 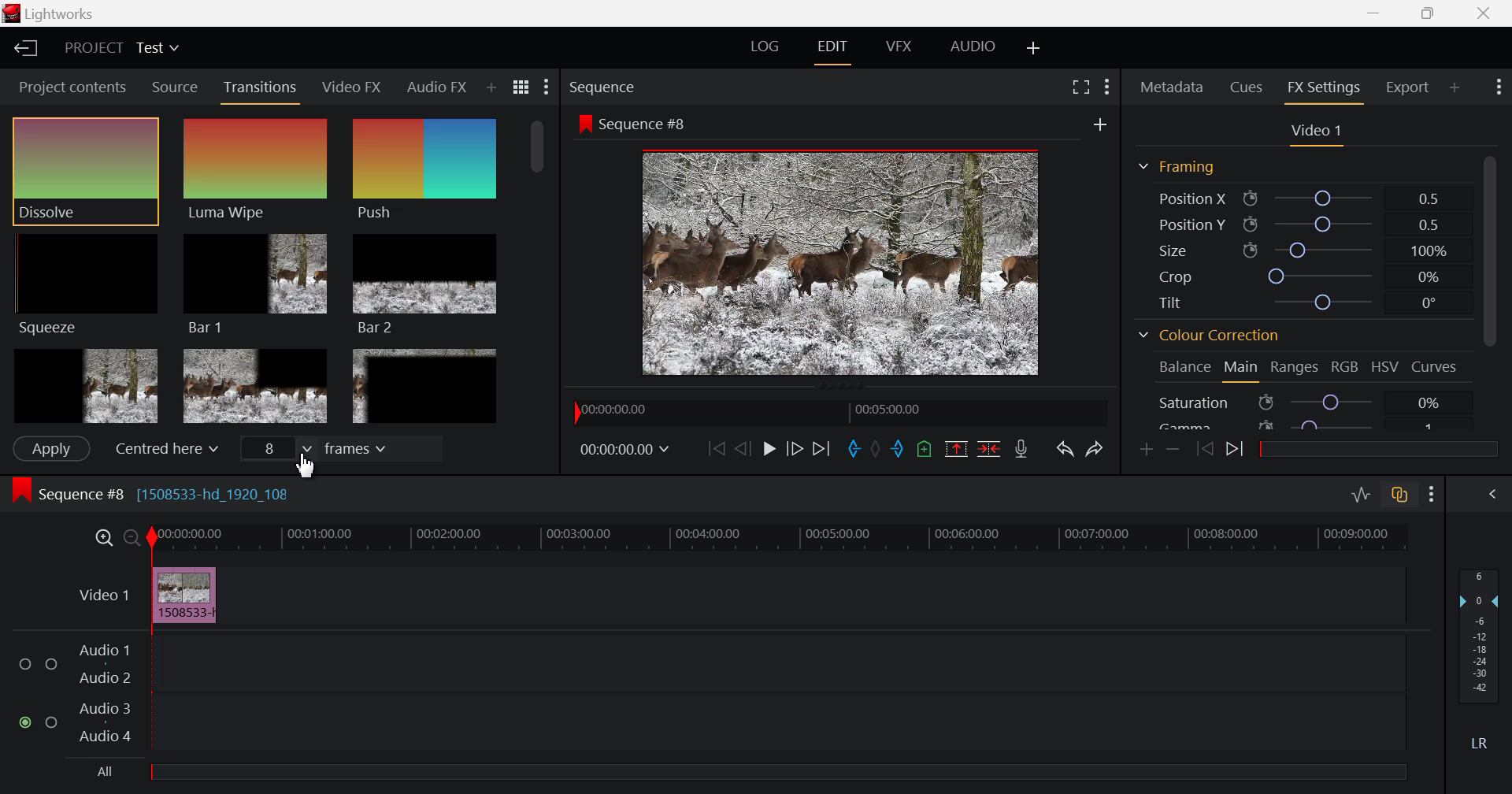 I want to click on Squeeze, so click(x=86, y=284).